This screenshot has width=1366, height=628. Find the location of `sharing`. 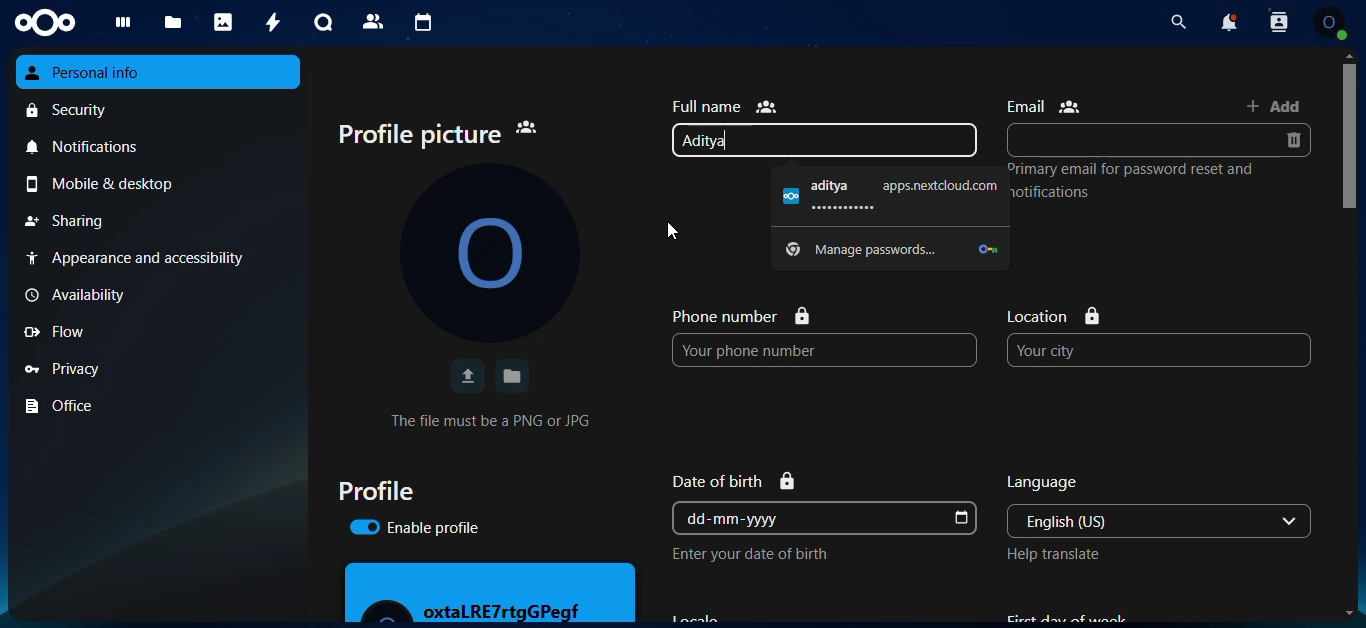

sharing is located at coordinates (159, 221).